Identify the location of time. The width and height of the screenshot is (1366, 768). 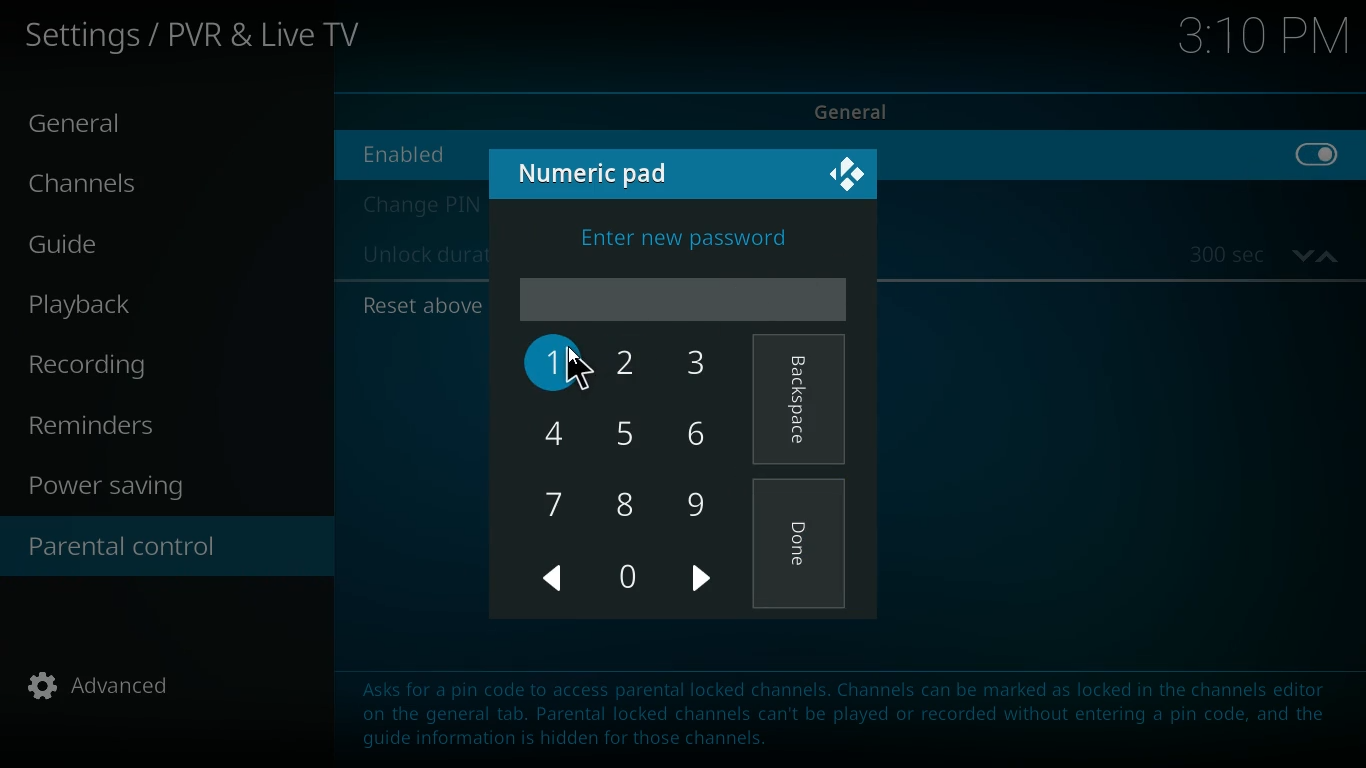
(1263, 40).